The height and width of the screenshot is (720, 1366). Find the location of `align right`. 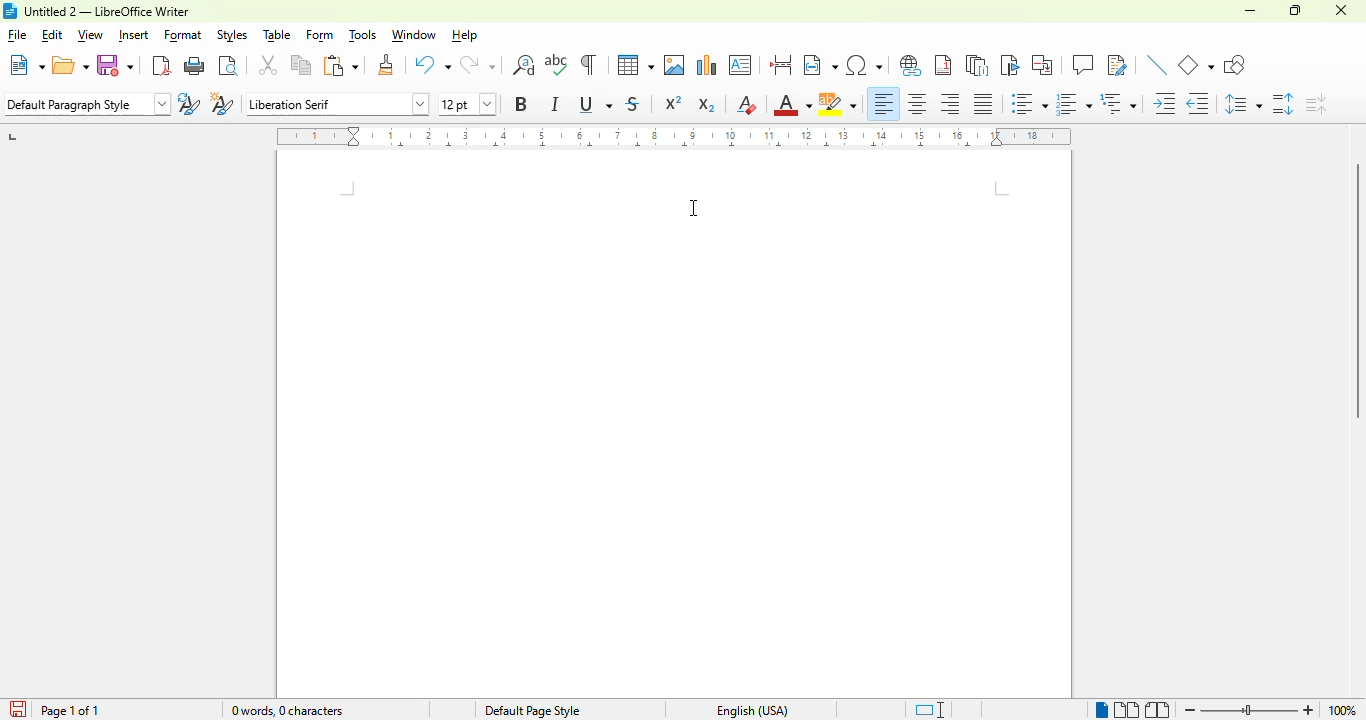

align right is located at coordinates (951, 104).